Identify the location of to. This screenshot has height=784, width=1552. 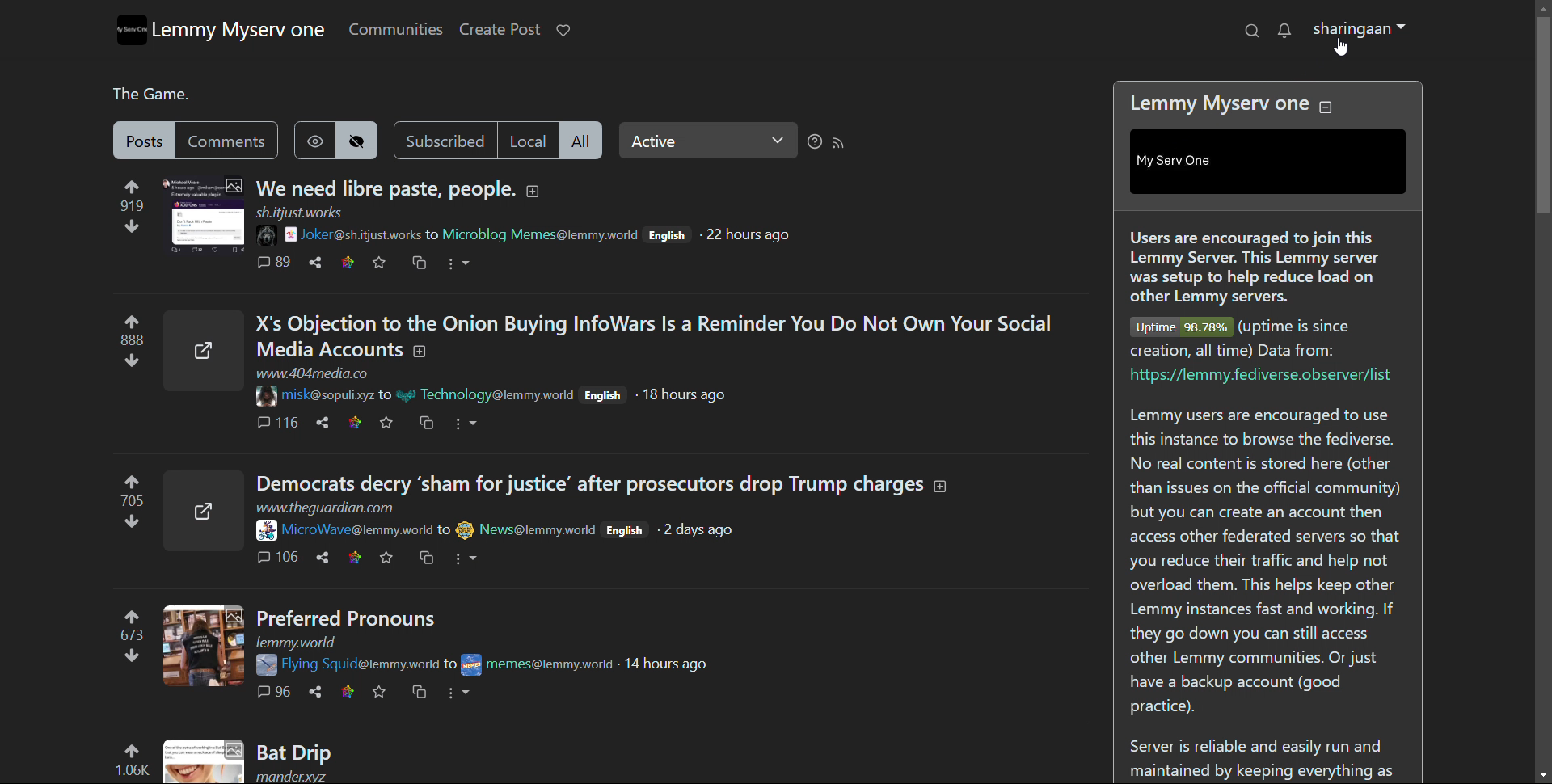
(428, 233).